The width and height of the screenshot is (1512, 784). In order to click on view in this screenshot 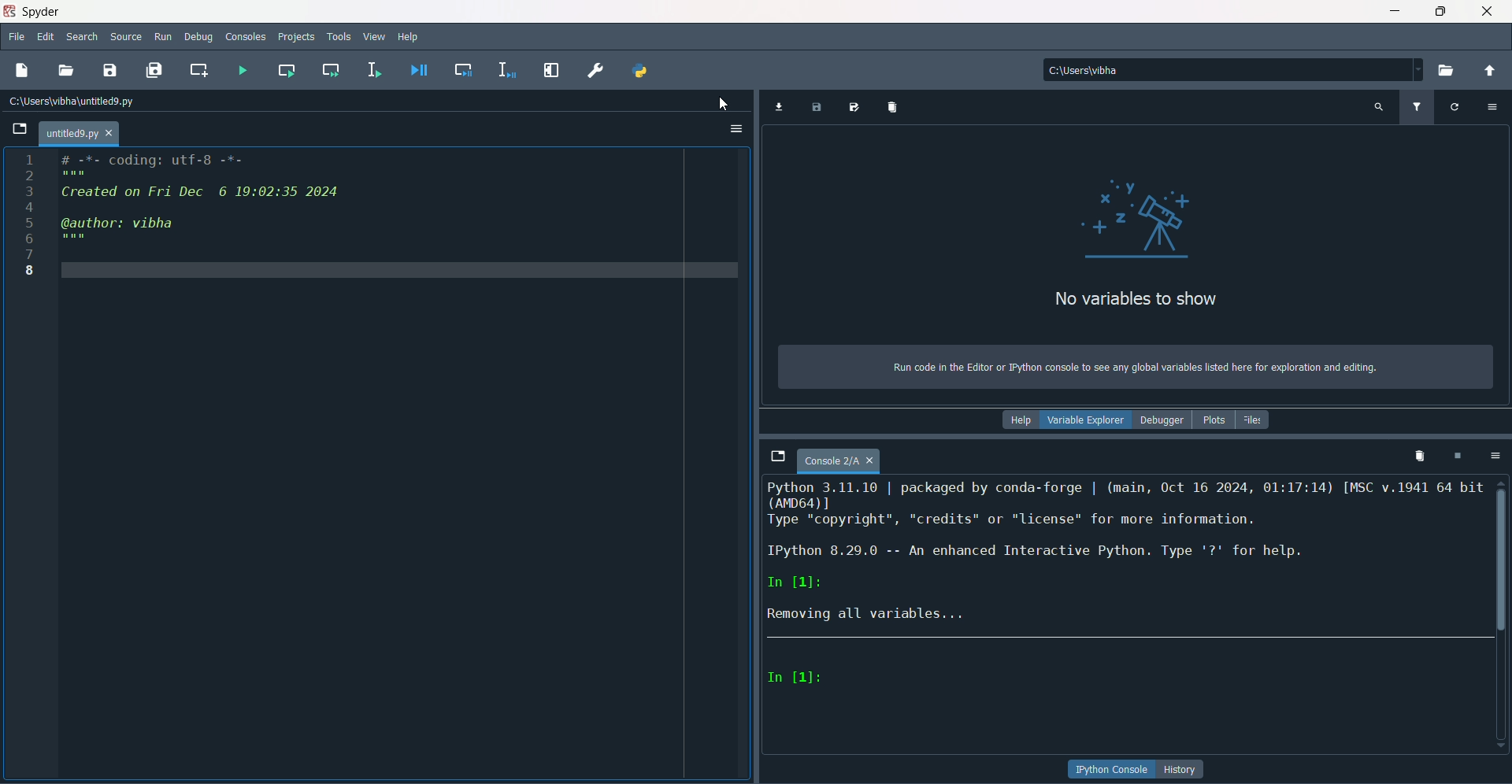, I will do `click(375, 36)`.